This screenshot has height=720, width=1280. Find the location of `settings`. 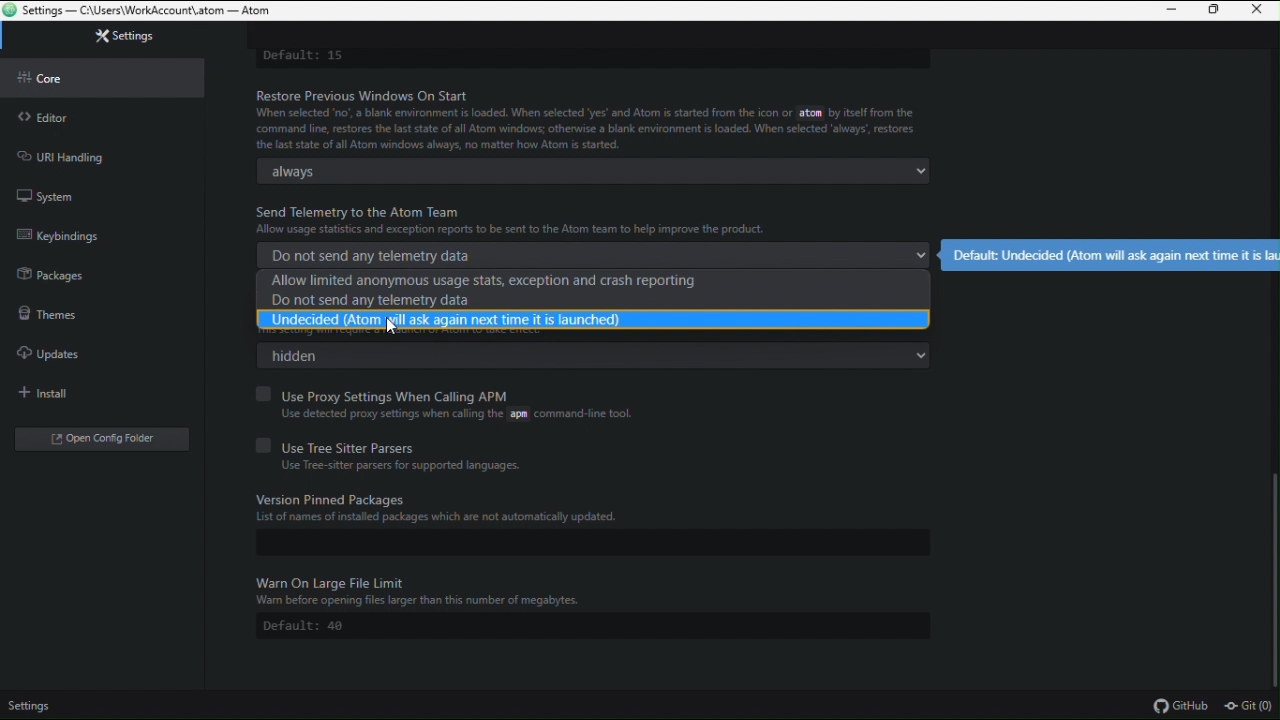

settings is located at coordinates (36, 707).